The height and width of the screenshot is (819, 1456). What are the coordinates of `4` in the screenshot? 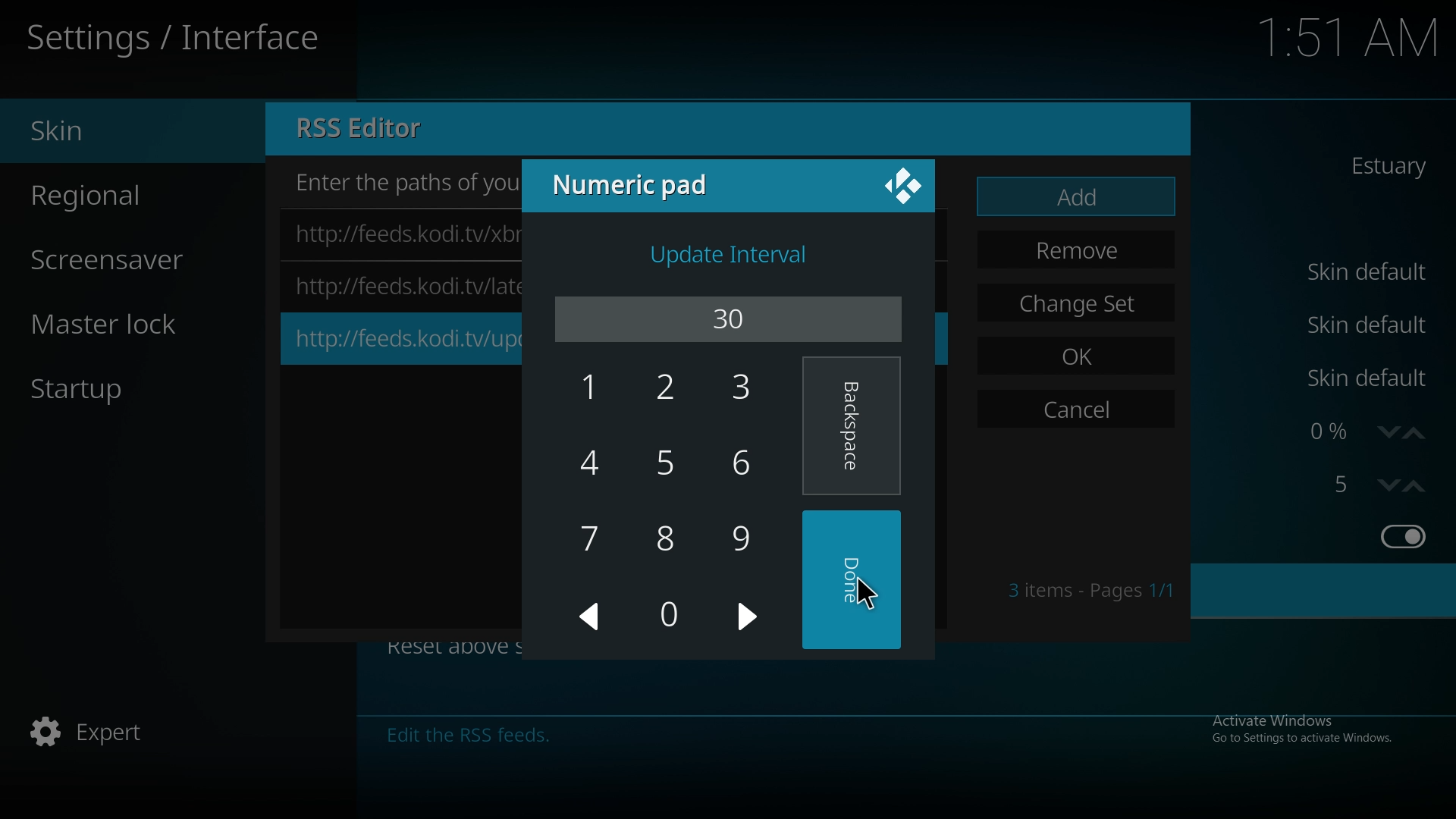 It's located at (582, 463).